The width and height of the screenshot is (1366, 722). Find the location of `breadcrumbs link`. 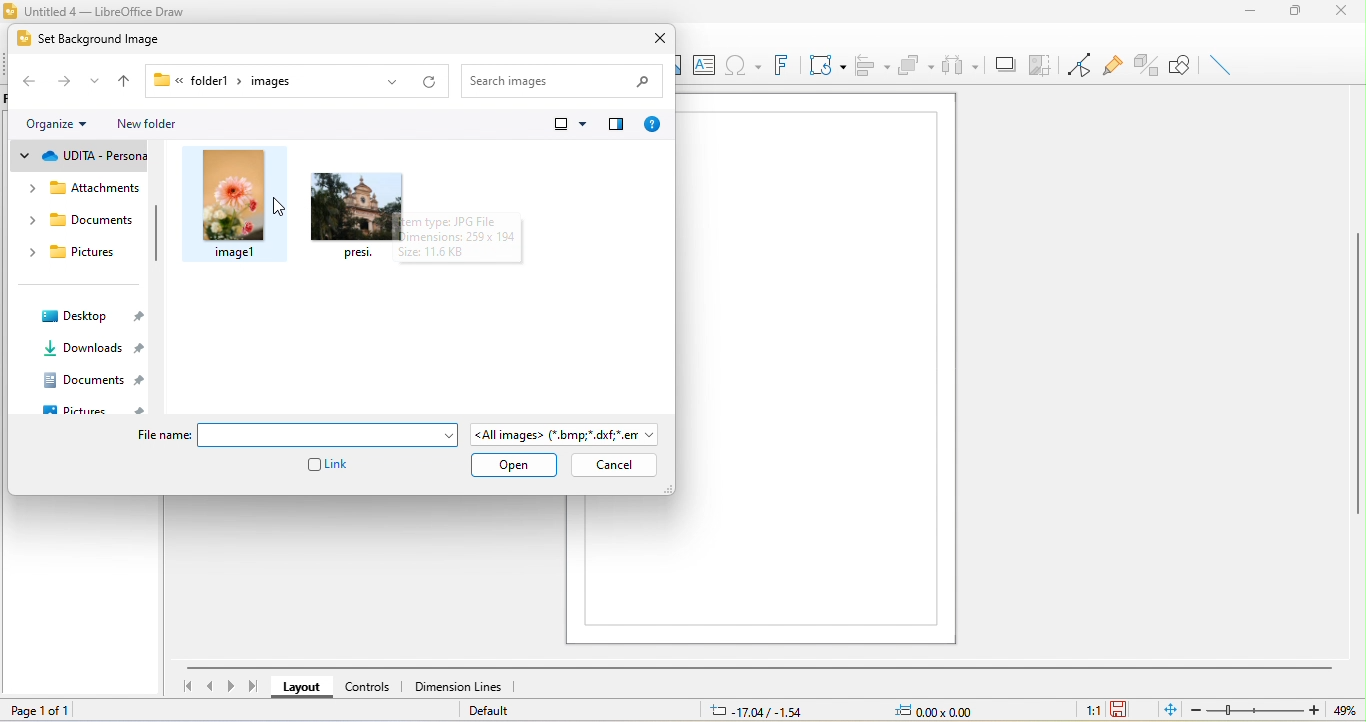

breadcrumbs link is located at coordinates (222, 82).